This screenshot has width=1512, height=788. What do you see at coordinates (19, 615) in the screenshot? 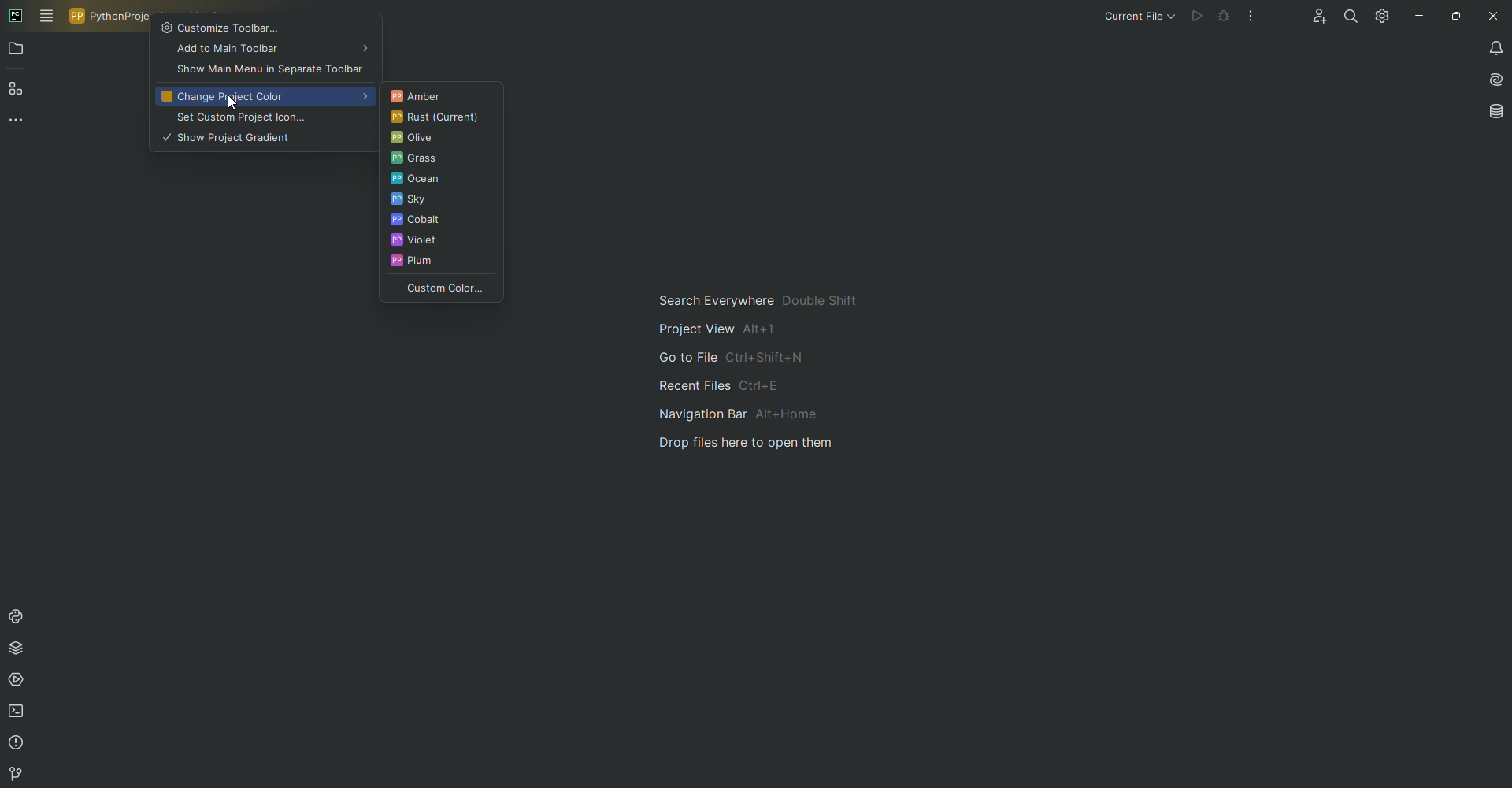
I see `Console` at bounding box center [19, 615].